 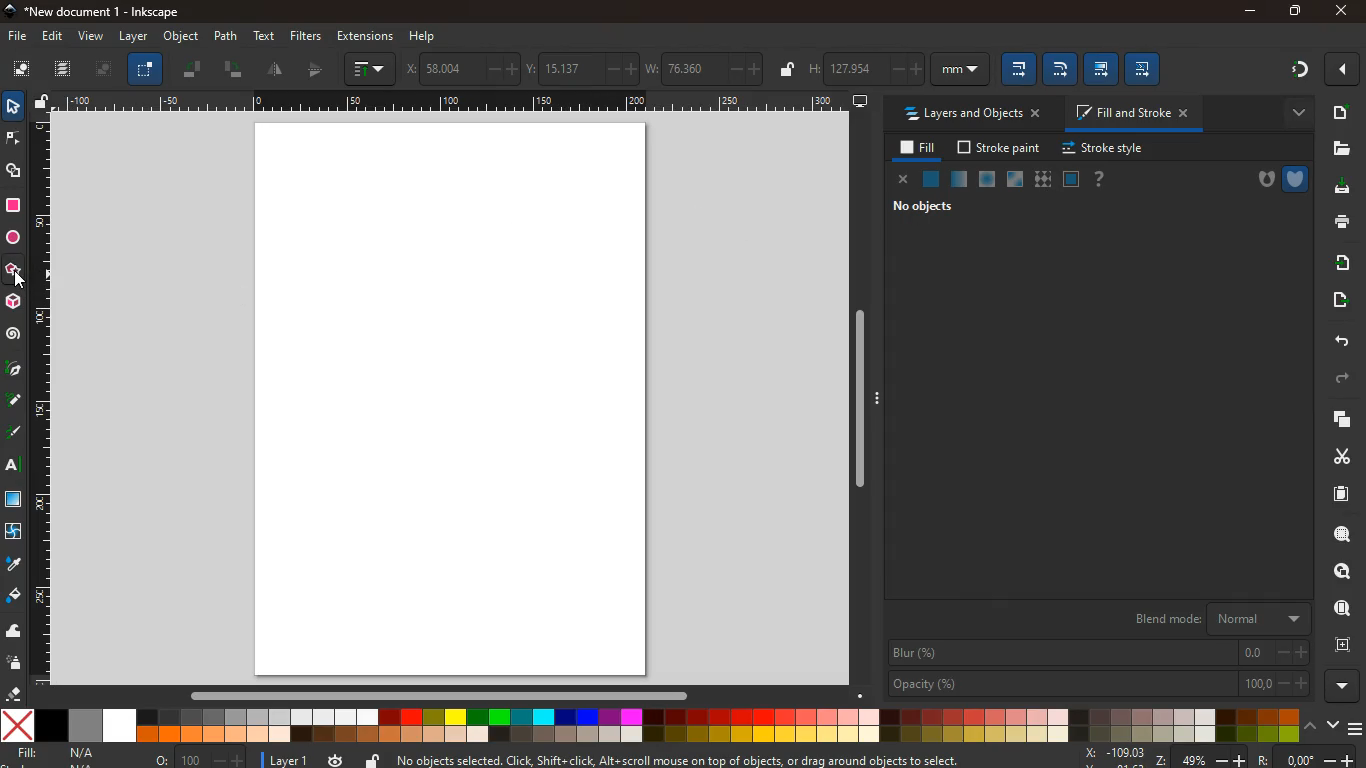 I want to click on pic, so click(x=12, y=371).